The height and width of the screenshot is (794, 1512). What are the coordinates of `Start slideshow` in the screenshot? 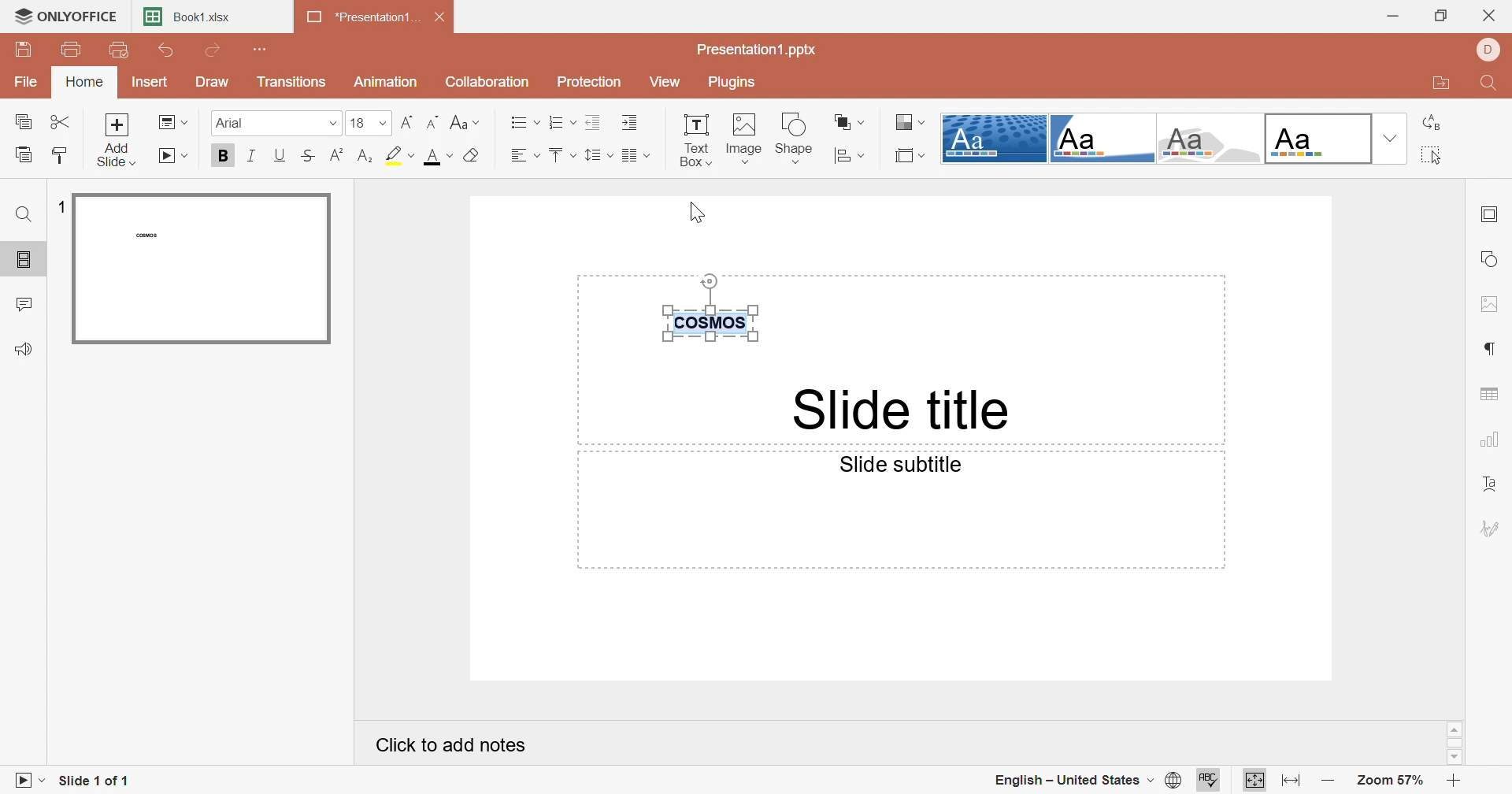 It's located at (170, 158).